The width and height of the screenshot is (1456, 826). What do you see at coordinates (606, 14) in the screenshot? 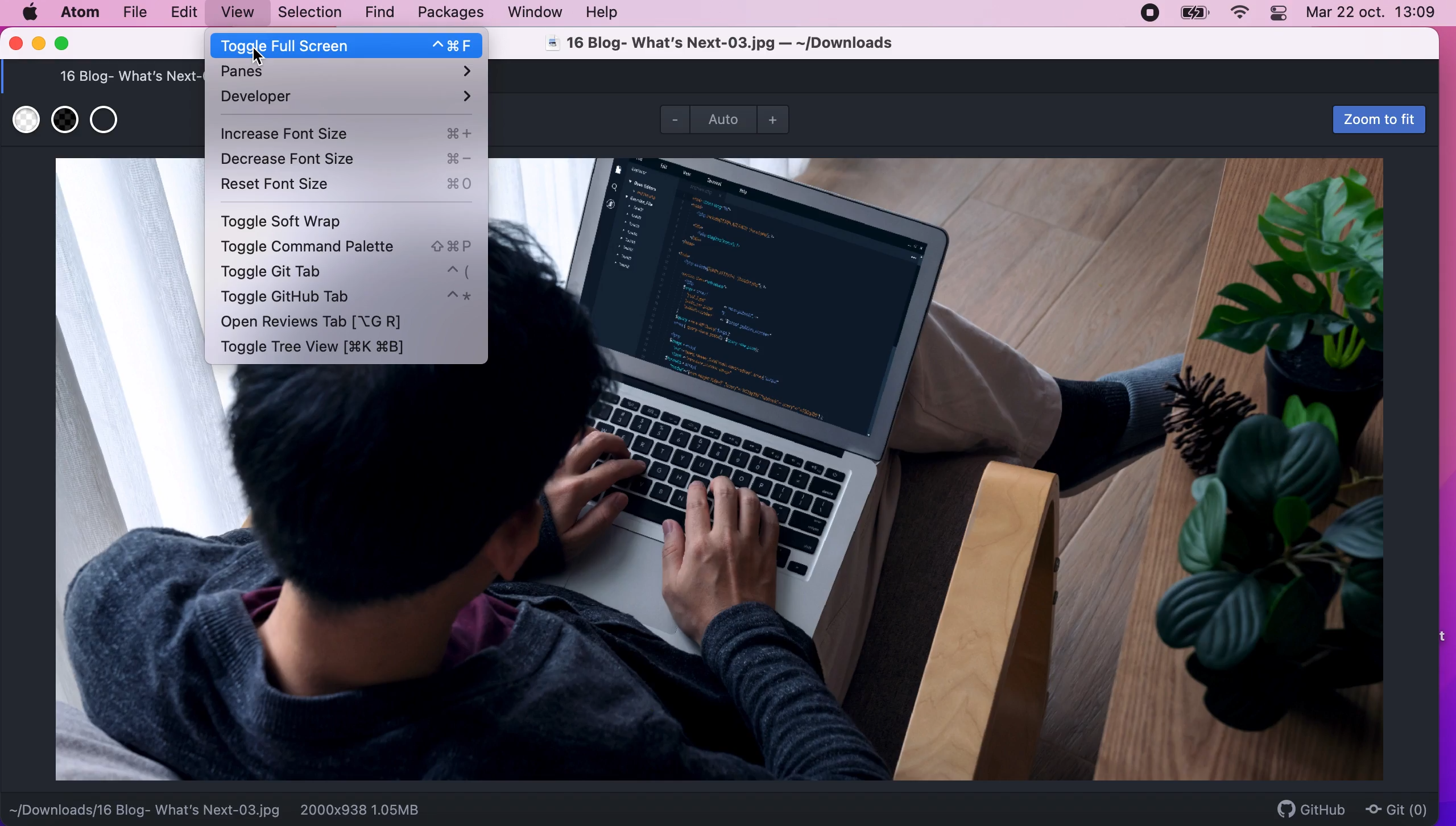
I see `help` at bounding box center [606, 14].